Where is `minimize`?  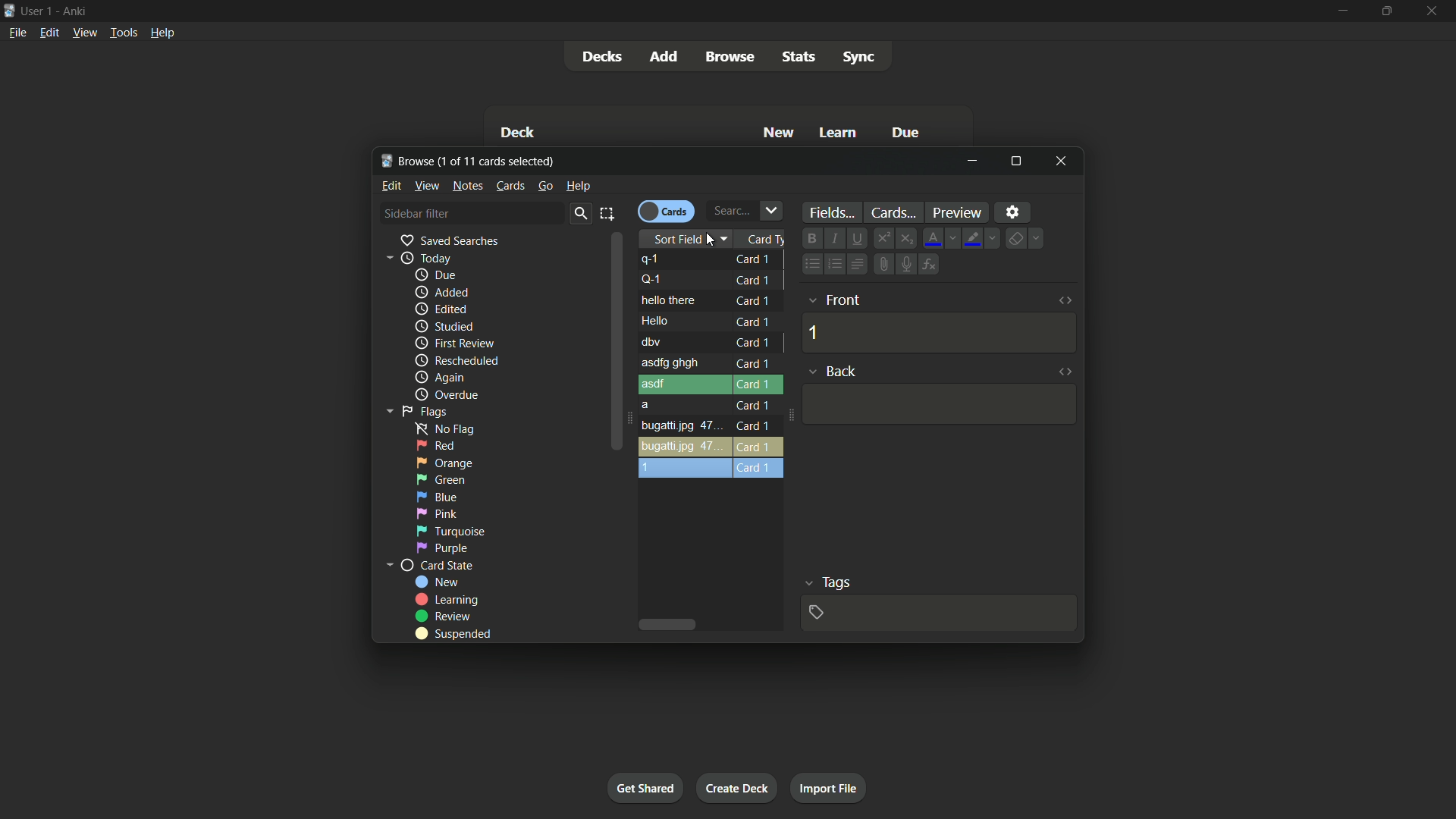 minimize is located at coordinates (974, 162).